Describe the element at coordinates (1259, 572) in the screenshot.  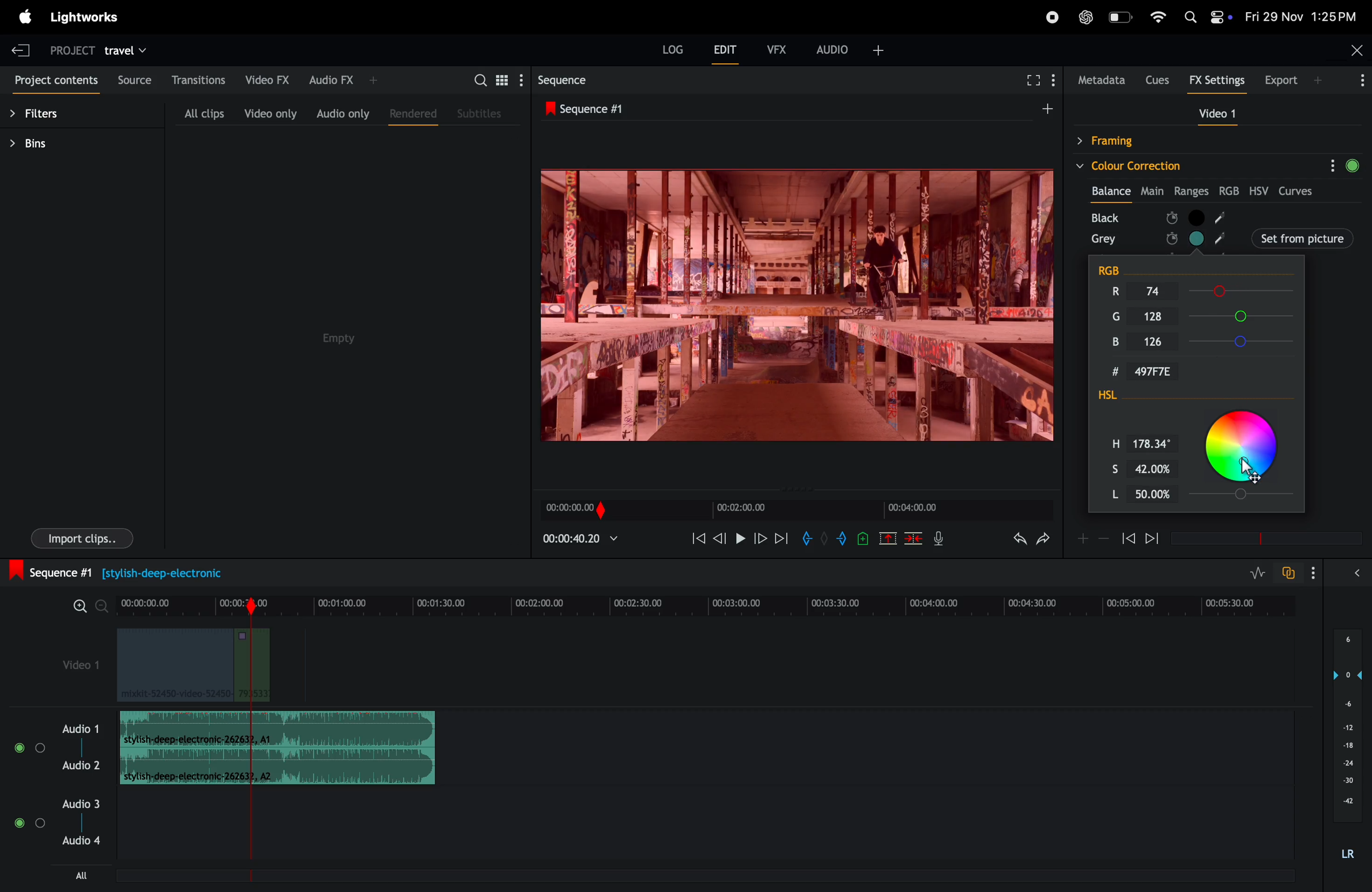
I see `toggle audio level editing` at that location.